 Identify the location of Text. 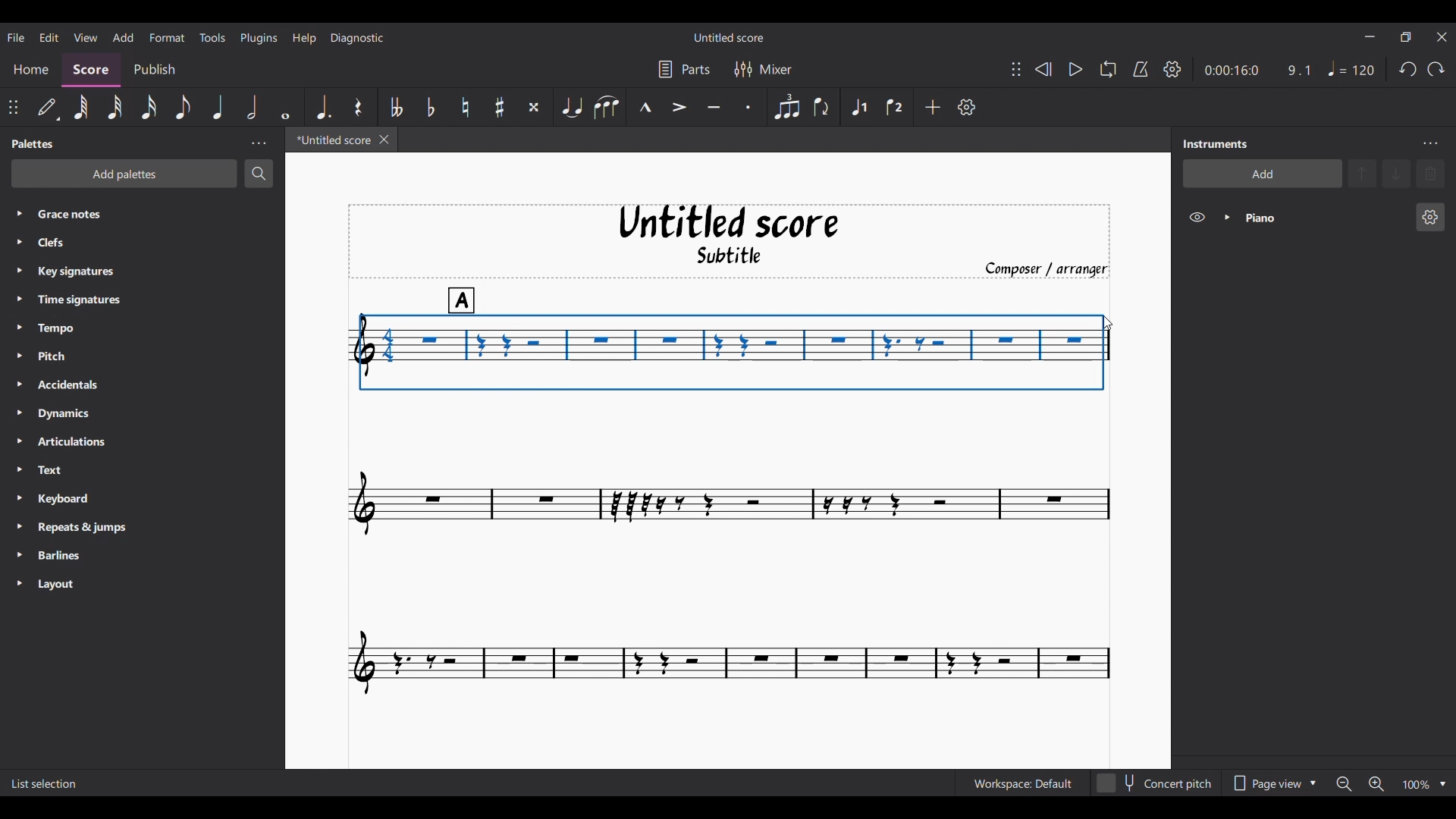
(80, 471).